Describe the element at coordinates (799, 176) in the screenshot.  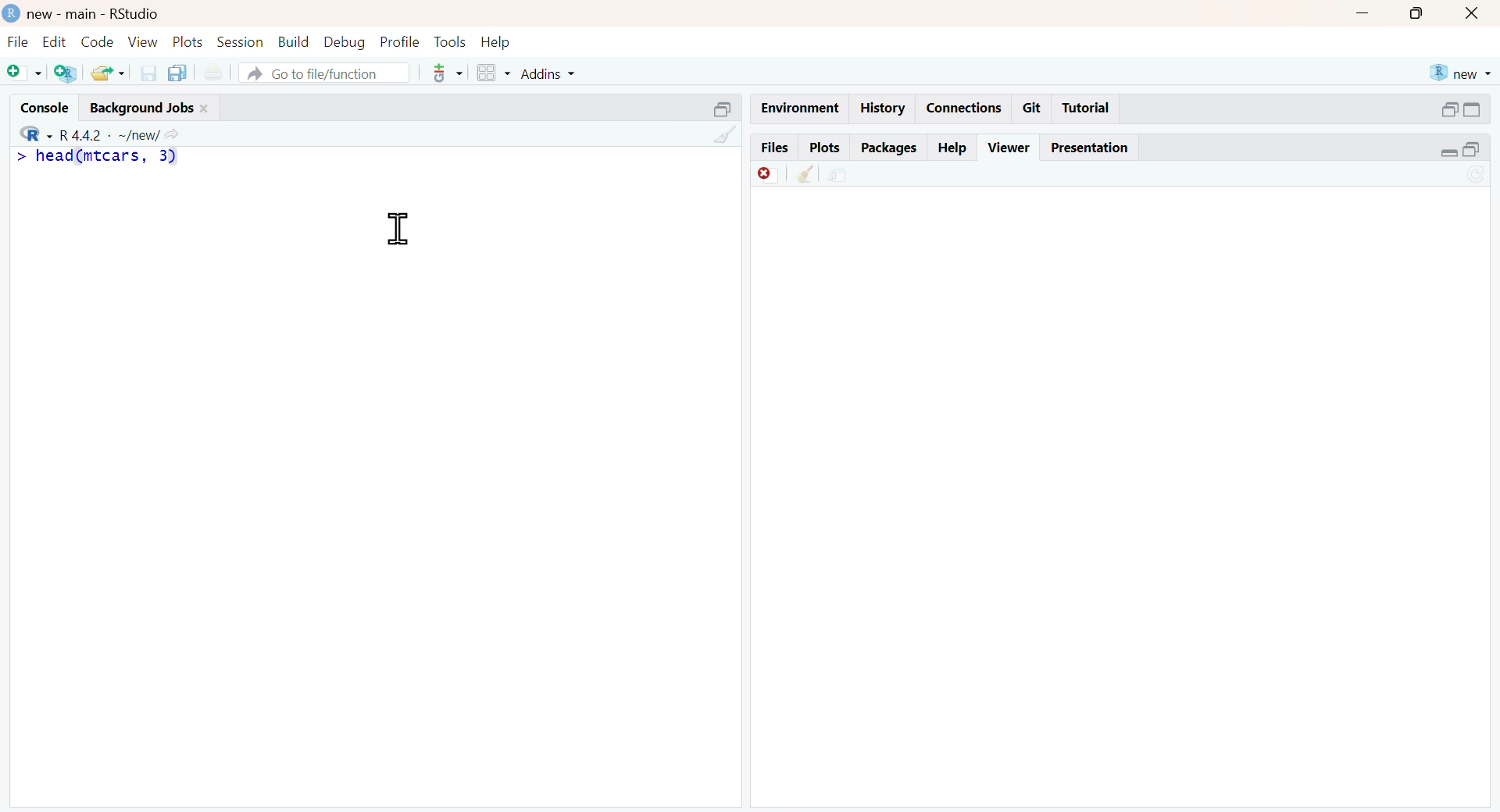
I see `clear all viewer item` at that location.